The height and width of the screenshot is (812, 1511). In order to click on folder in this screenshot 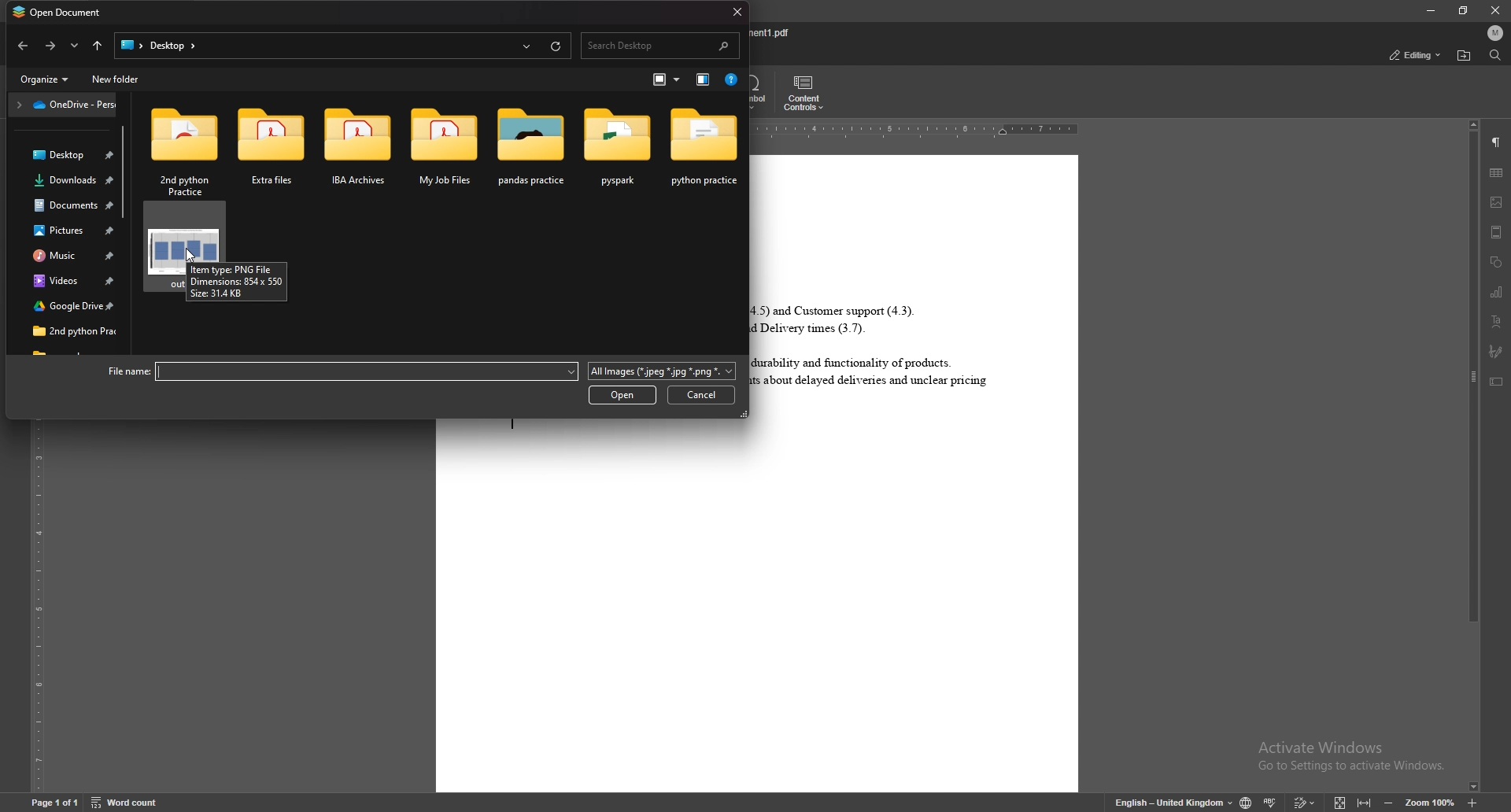, I will do `click(61, 156)`.